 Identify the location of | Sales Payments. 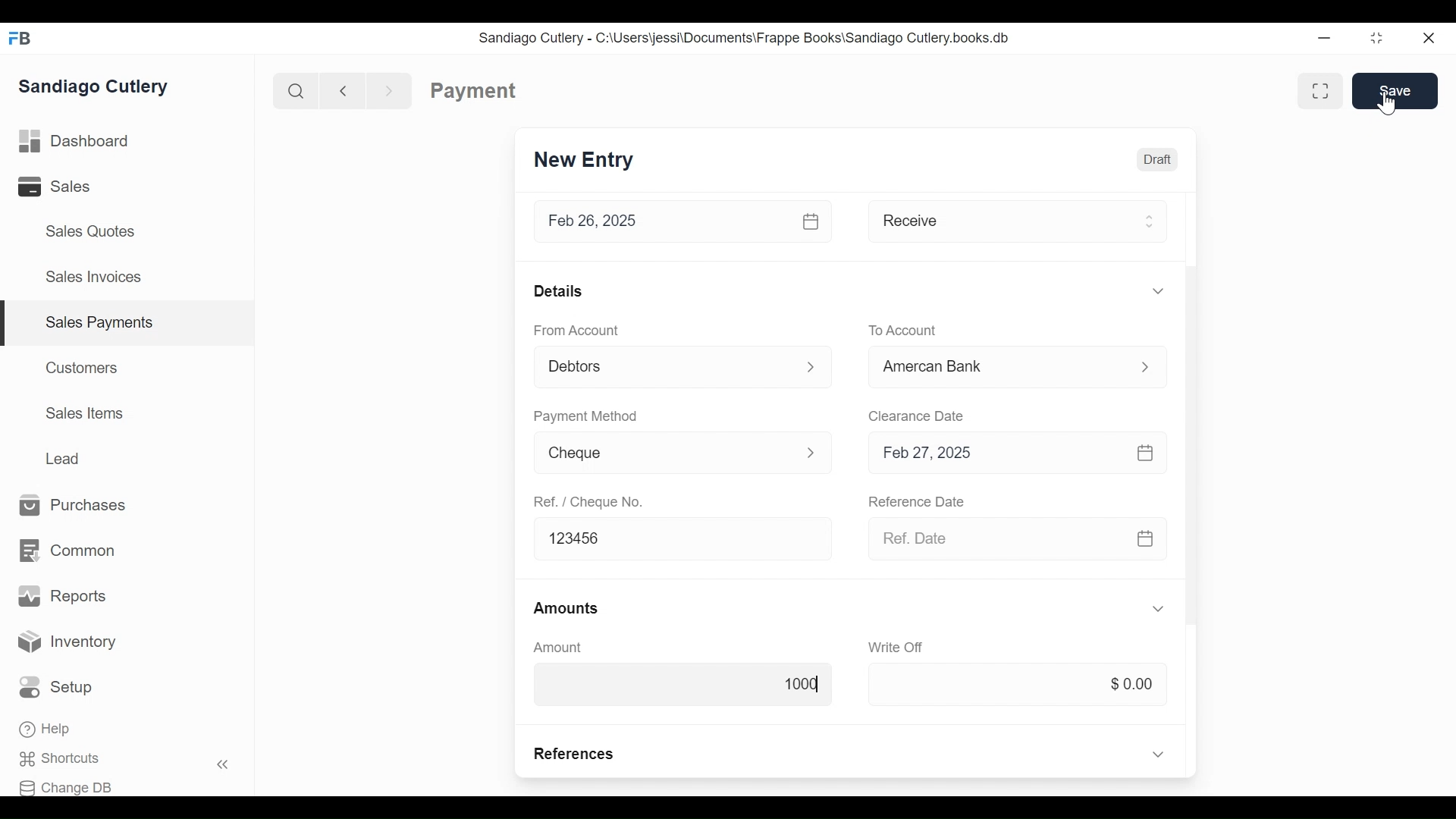
(129, 324).